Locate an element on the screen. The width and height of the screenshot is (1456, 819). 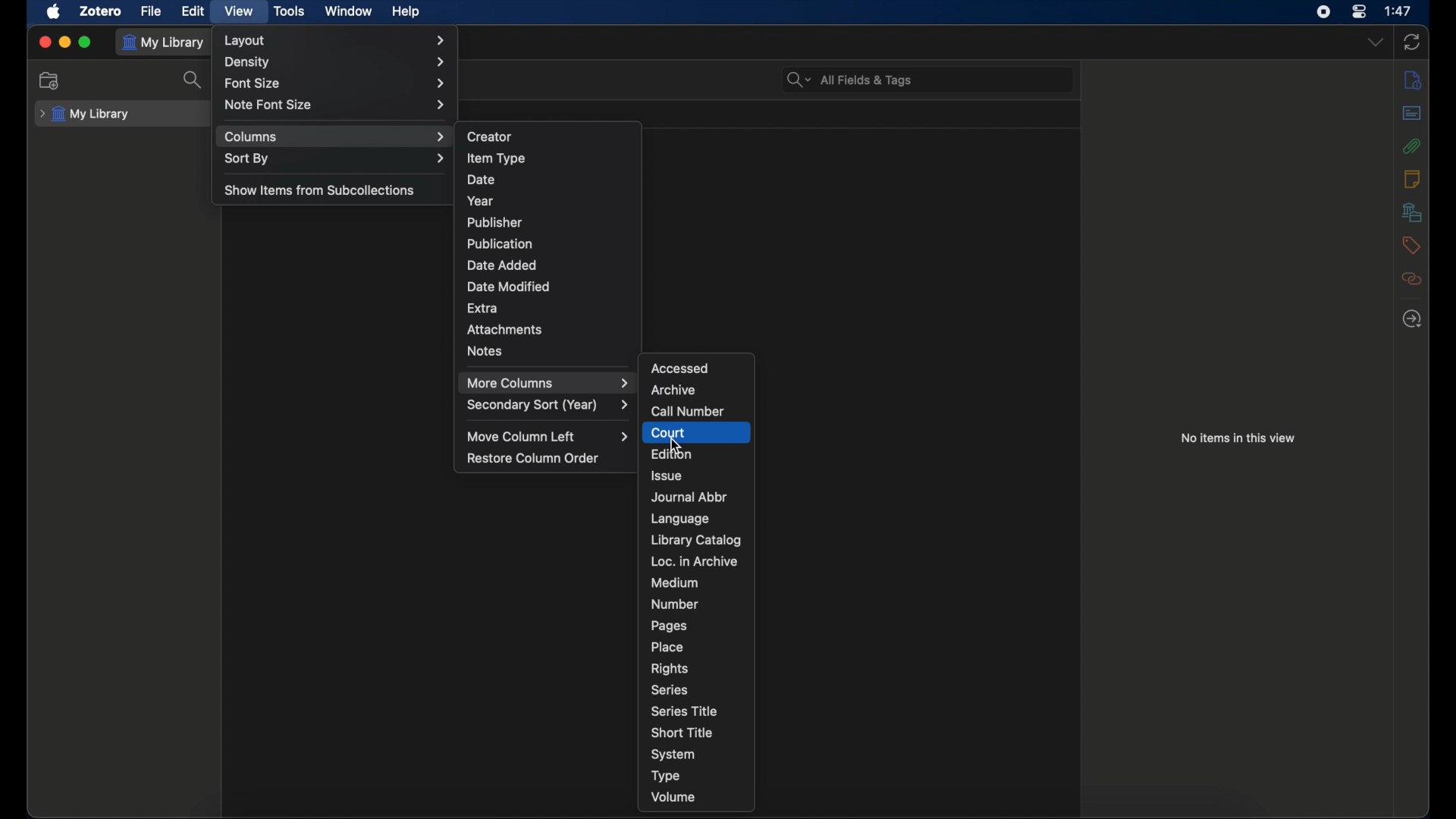
show items from subcollections is located at coordinates (322, 189).